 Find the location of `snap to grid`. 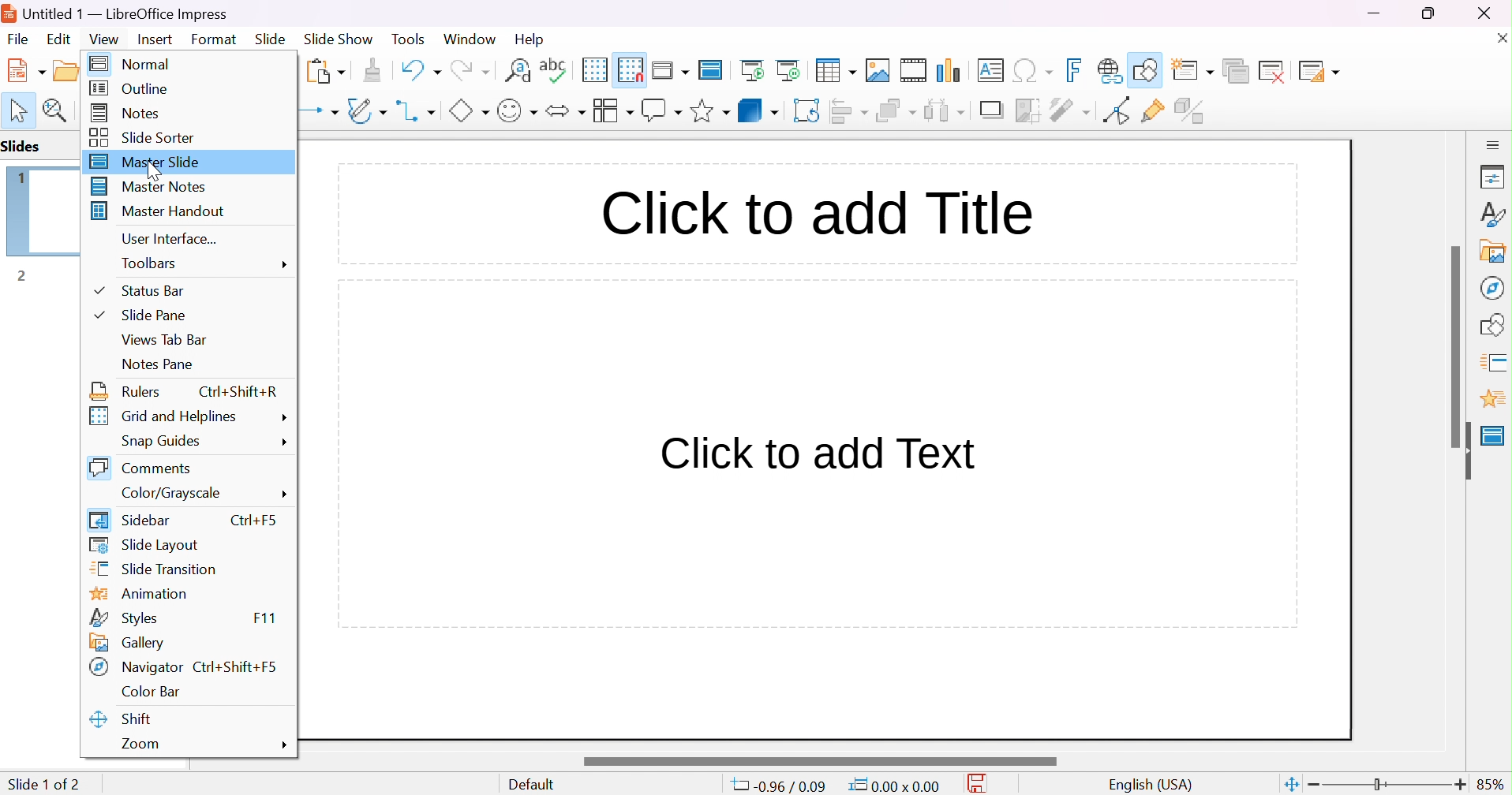

snap to grid is located at coordinates (631, 68).